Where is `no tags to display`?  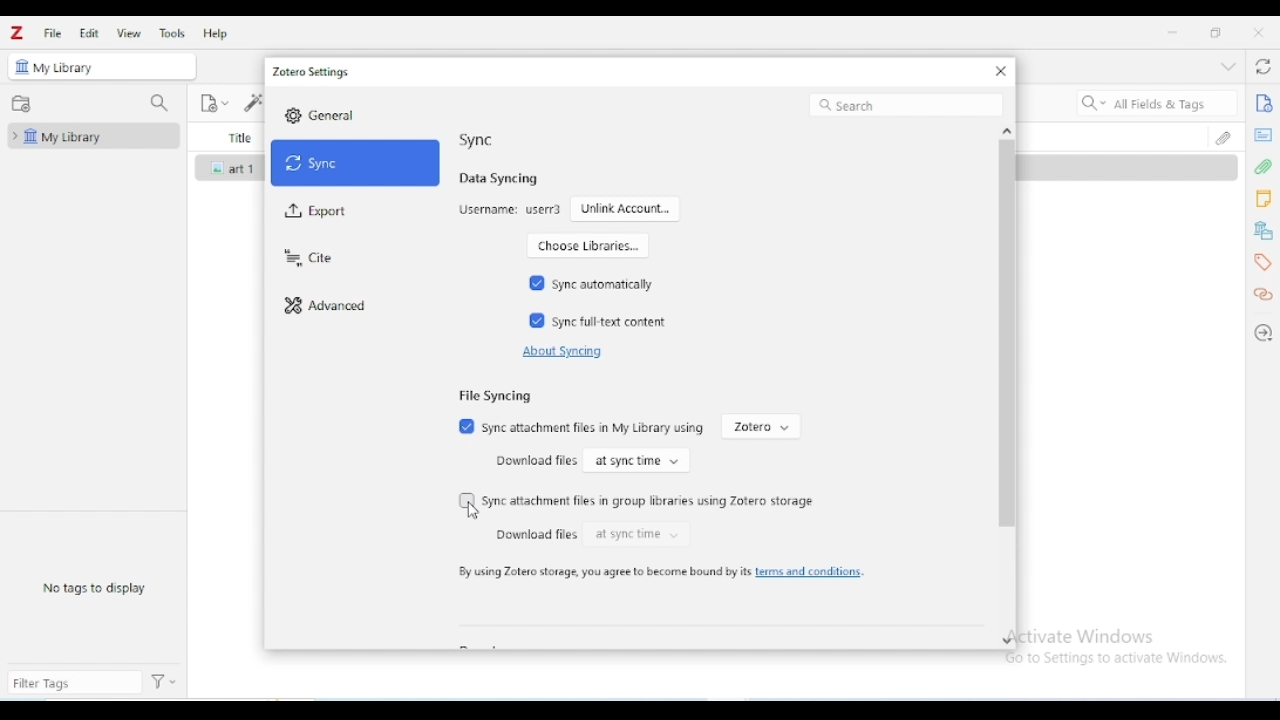 no tags to display is located at coordinates (94, 587).